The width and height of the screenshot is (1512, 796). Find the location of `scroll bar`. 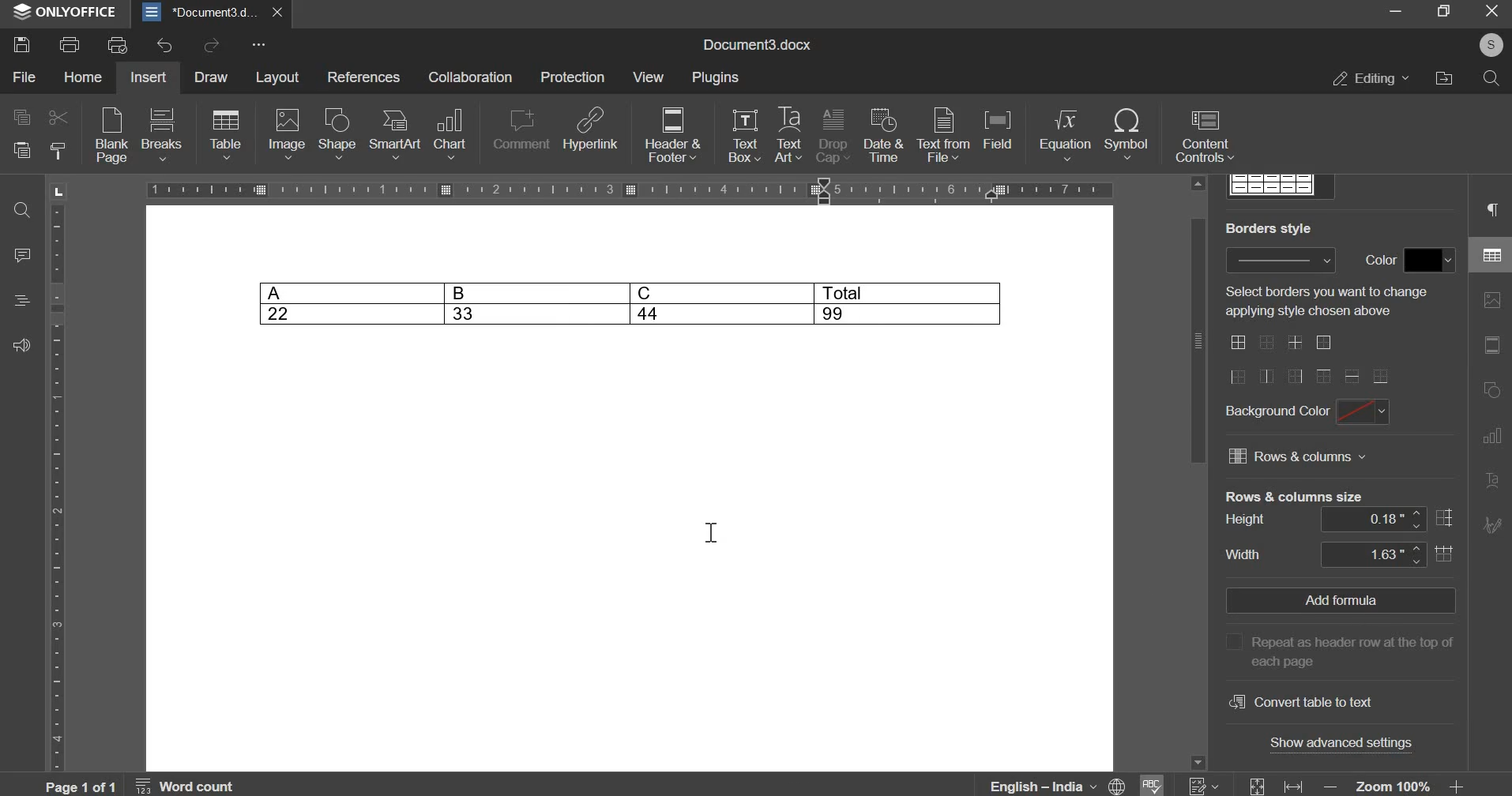

scroll bar is located at coordinates (1198, 340).